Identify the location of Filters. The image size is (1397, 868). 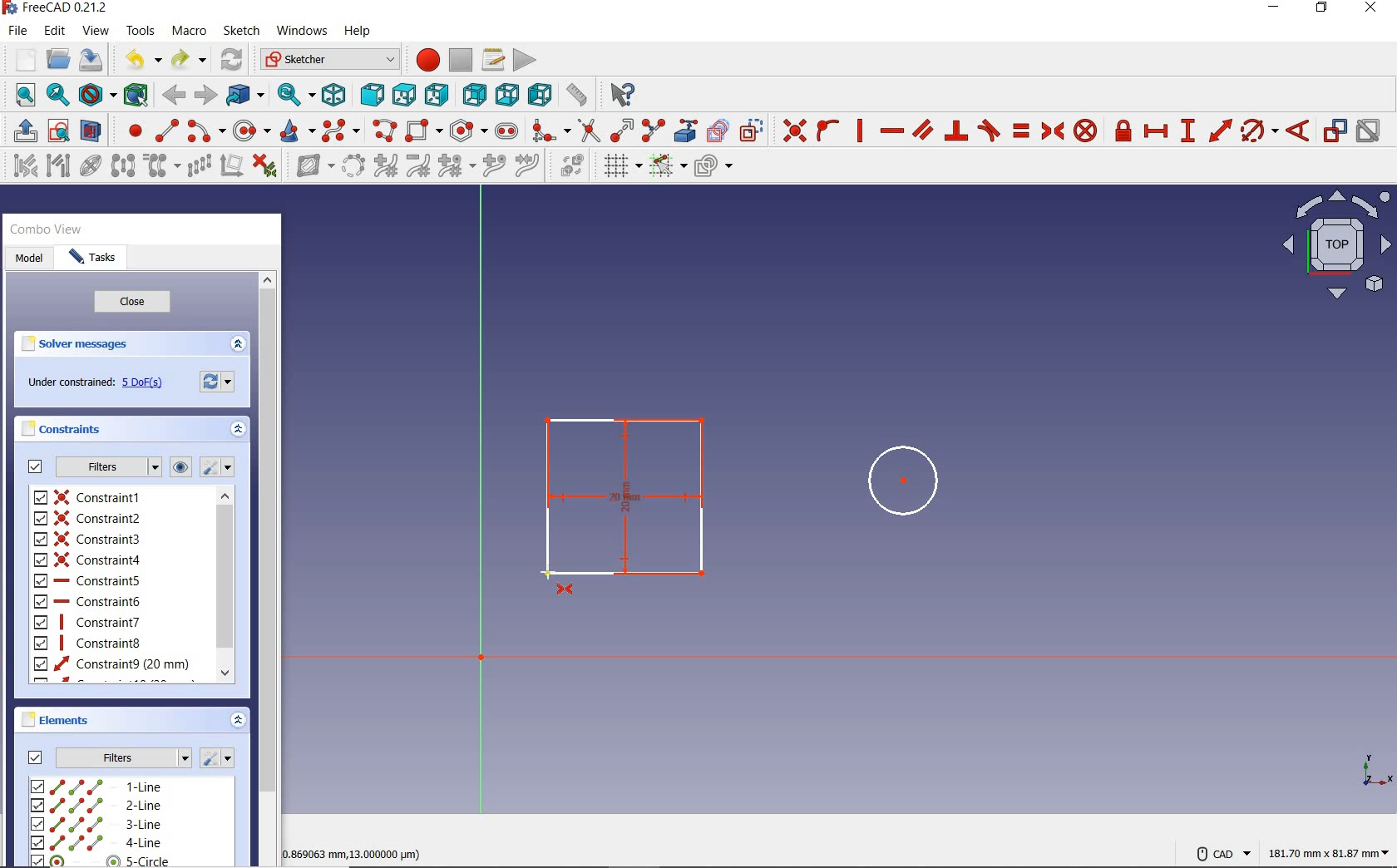
(126, 758).